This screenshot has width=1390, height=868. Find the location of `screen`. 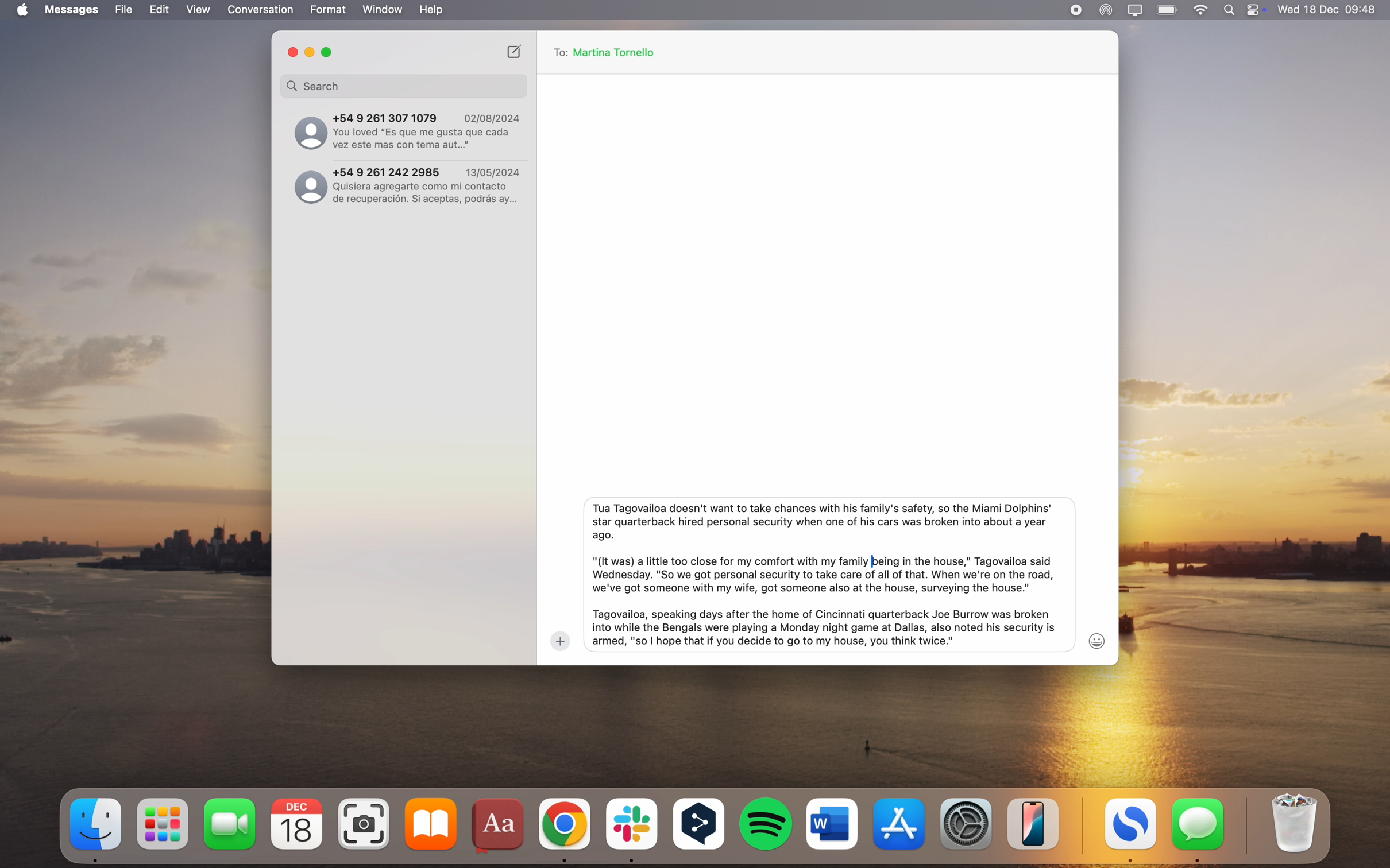

screen is located at coordinates (1136, 10).